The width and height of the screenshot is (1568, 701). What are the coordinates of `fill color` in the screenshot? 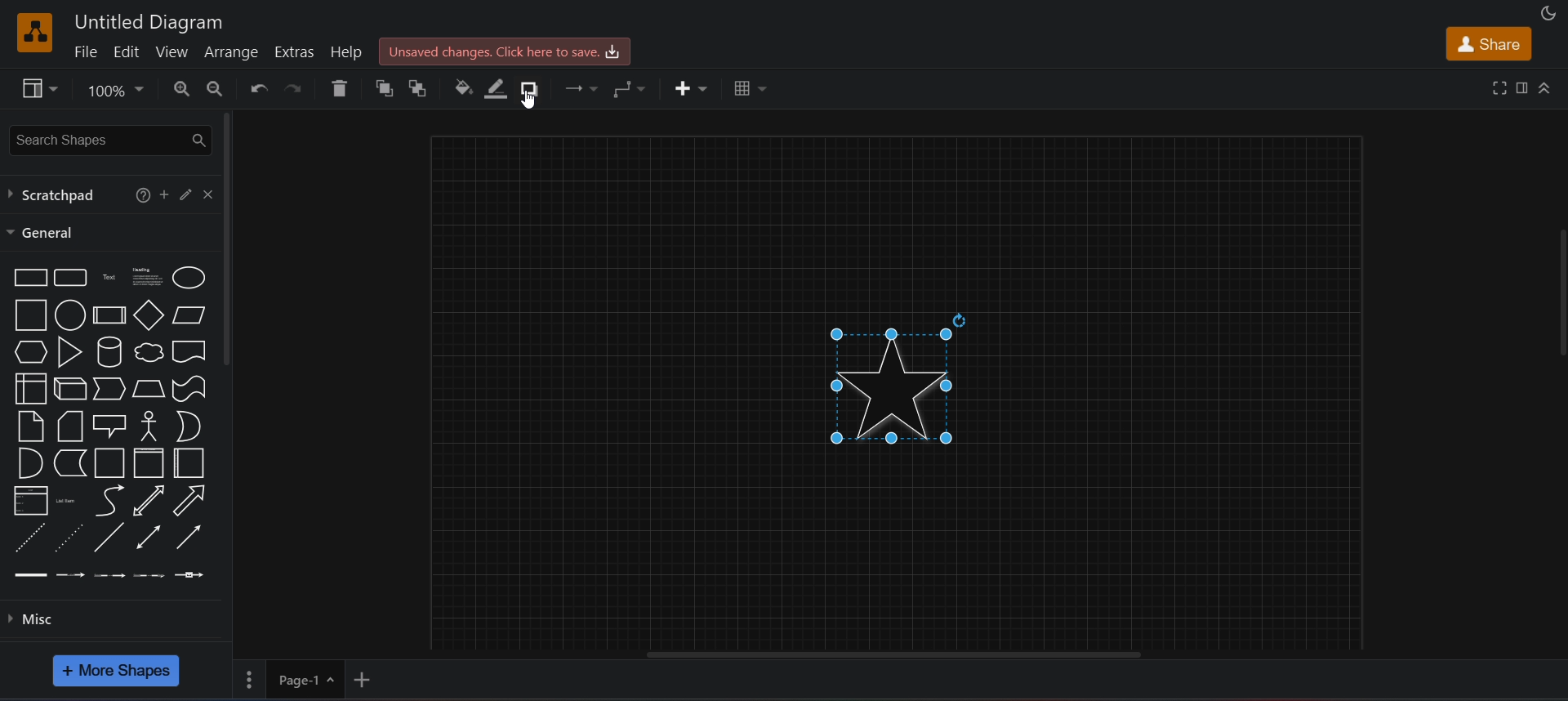 It's located at (464, 87).